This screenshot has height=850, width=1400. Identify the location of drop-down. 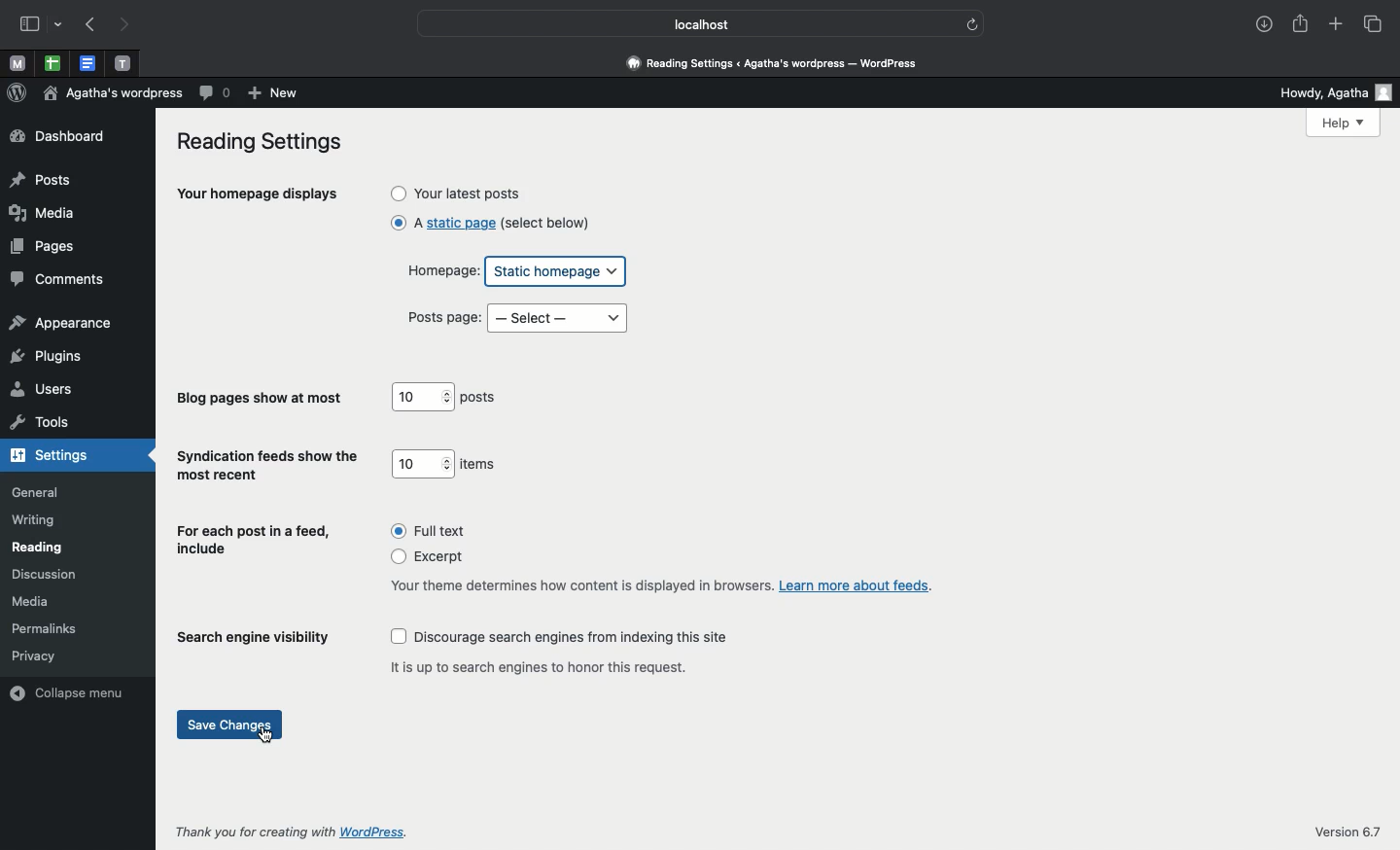
(60, 26).